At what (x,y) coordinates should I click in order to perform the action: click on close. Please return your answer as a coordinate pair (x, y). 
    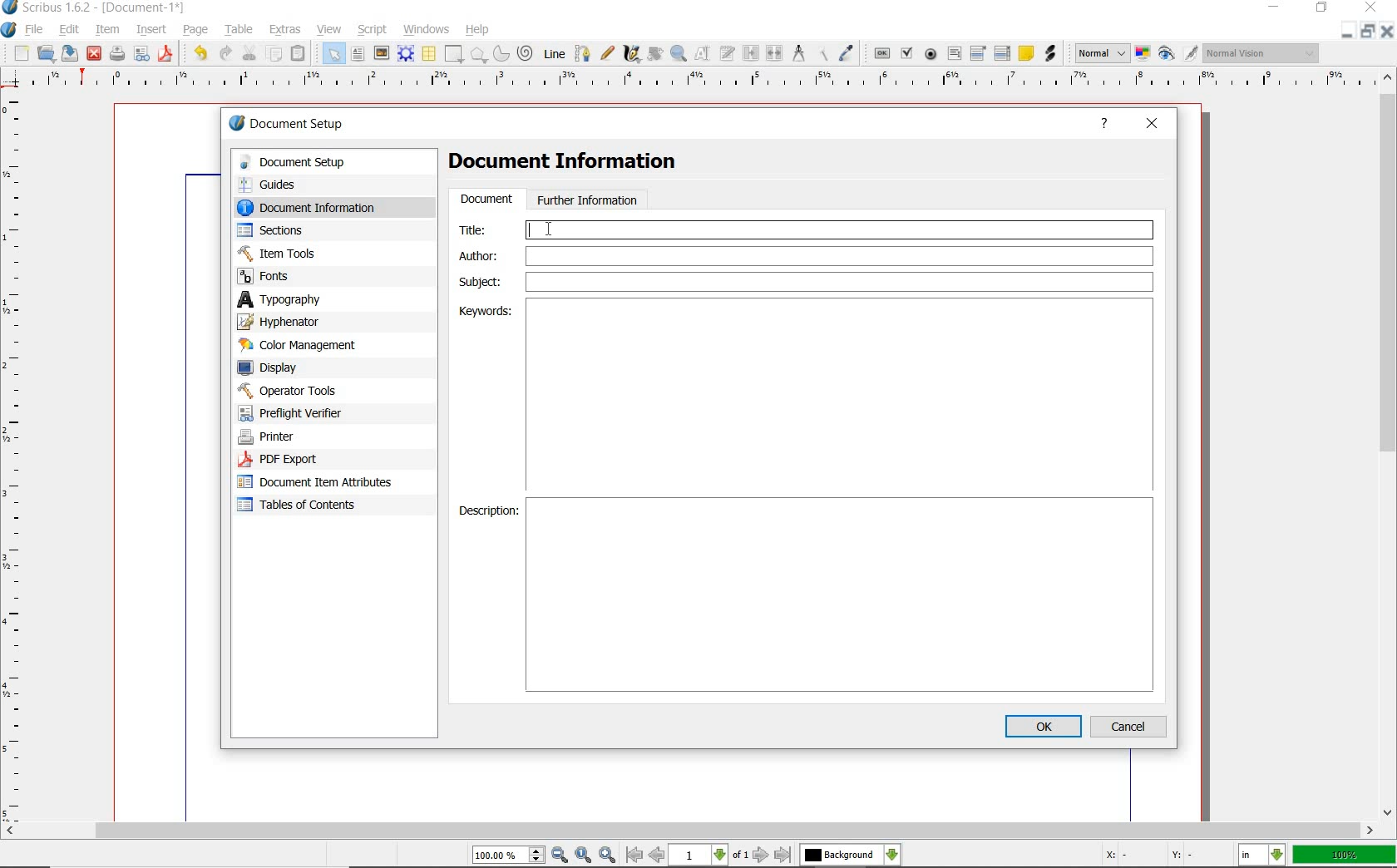
    Looking at the image, I should click on (1153, 125).